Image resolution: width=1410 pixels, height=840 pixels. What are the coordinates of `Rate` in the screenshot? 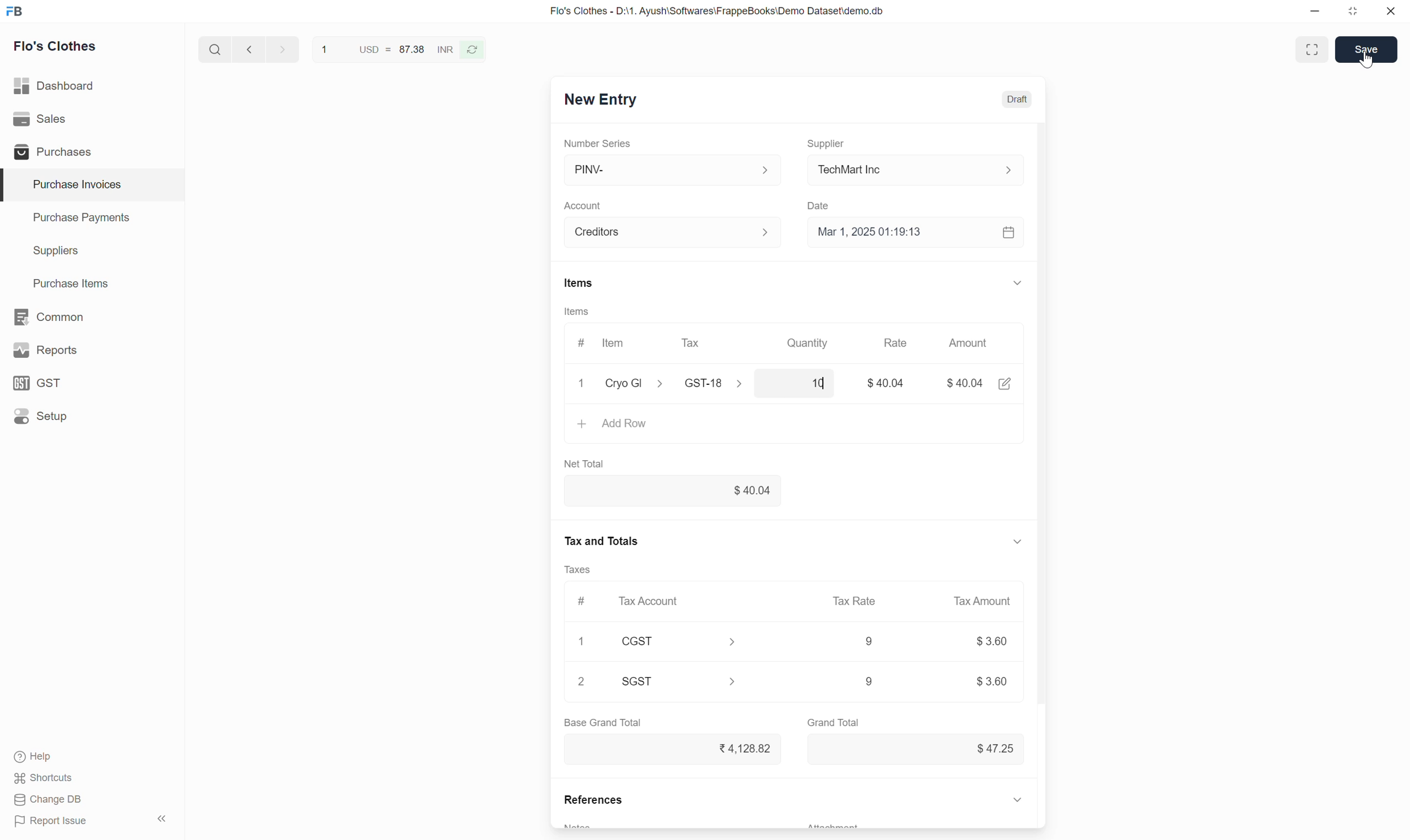 It's located at (903, 342).